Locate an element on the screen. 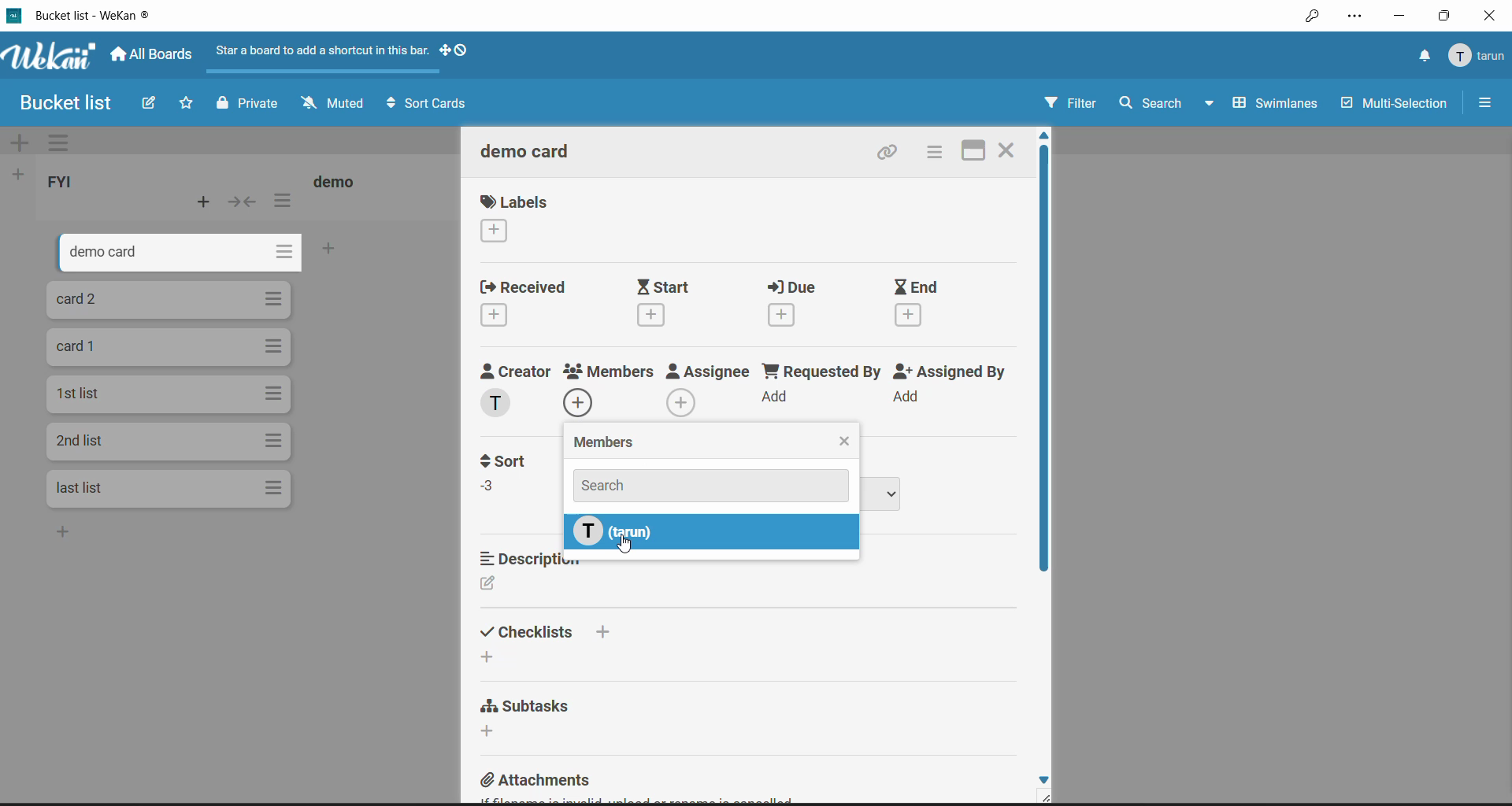 This screenshot has height=806, width=1512. card bottom of list is located at coordinates (93, 533).